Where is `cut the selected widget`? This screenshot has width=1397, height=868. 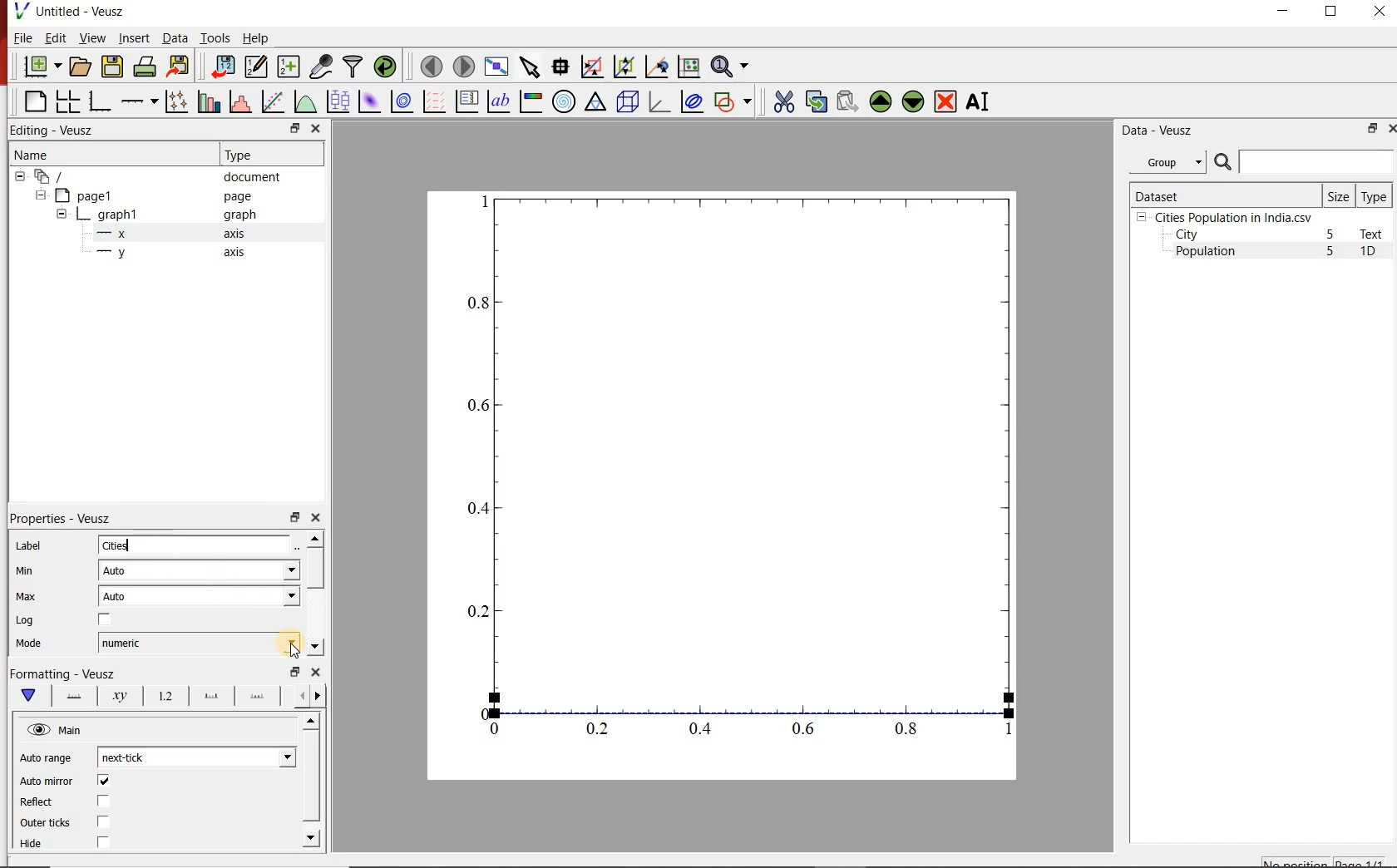 cut the selected widget is located at coordinates (781, 101).